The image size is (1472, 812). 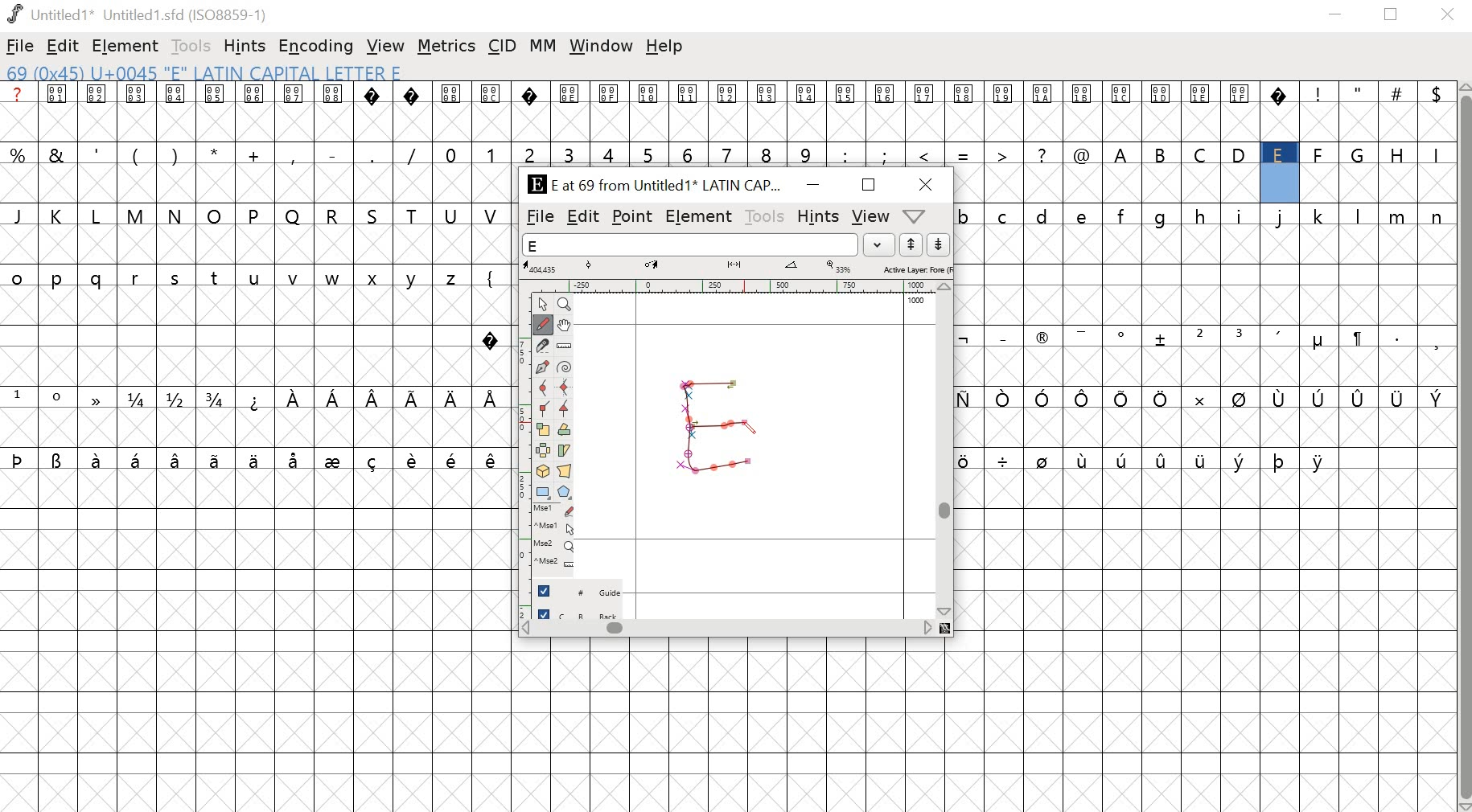 I want to click on Mouse wheel button + Ctrl, so click(x=553, y=563).